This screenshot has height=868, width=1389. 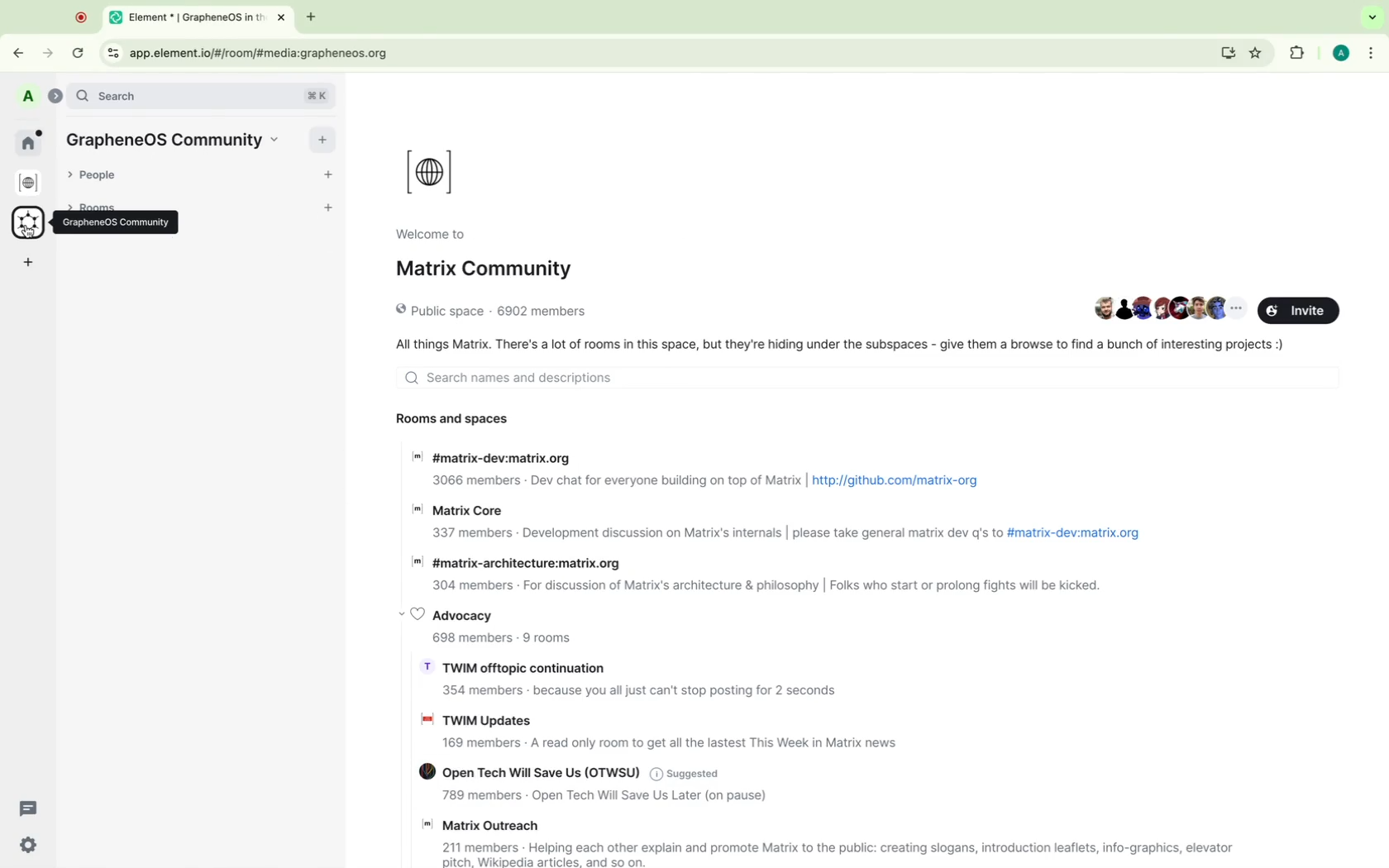 What do you see at coordinates (832, 855) in the screenshot?
I see `211 members - Helping each other explain and promote matrix to the public; creating slogans, introduction leaflets, info-graphics, elevator pitch, Wikipedia articles, and so on` at bounding box center [832, 855].